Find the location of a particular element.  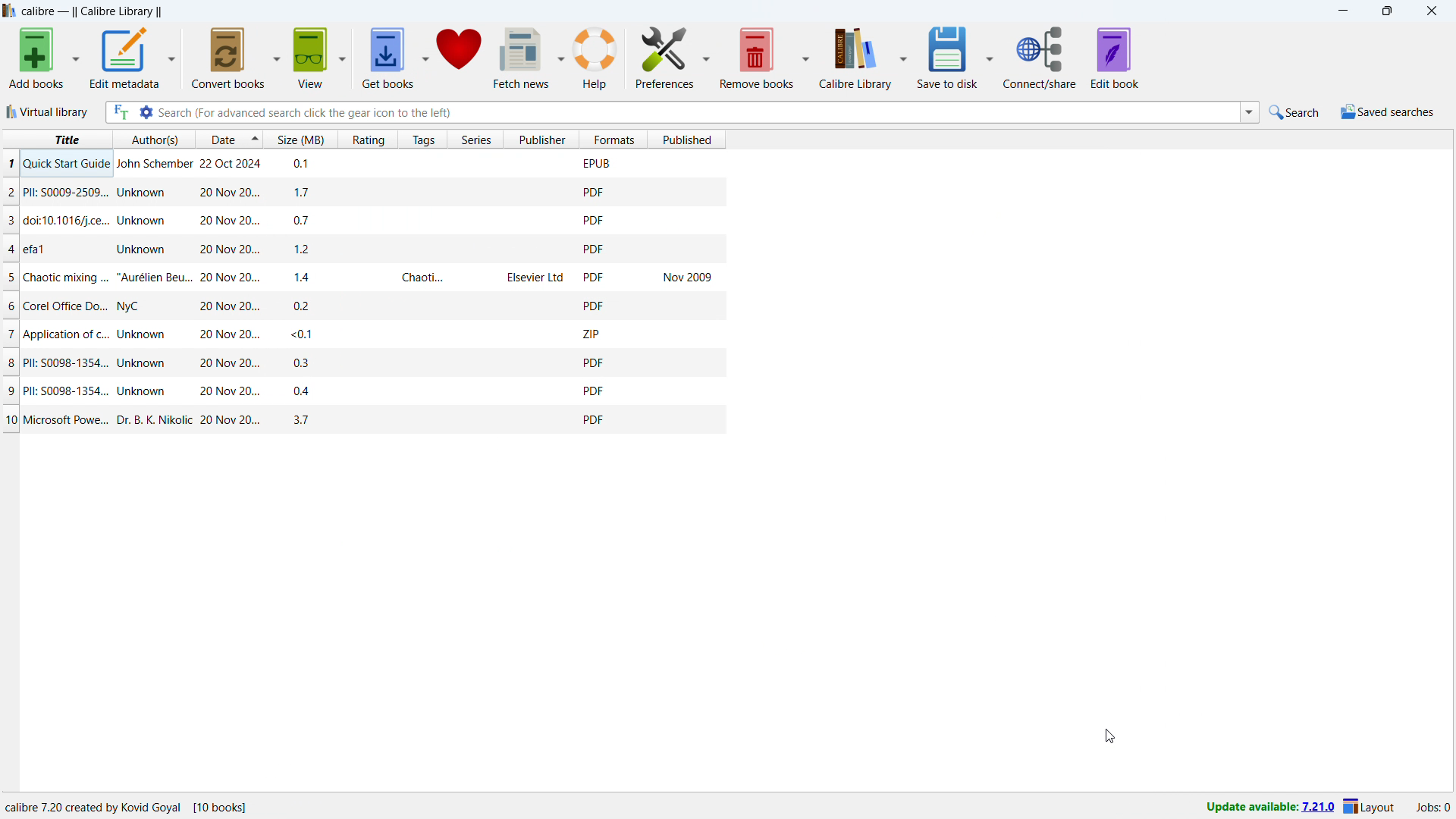

remove books is located at coordinates (757, 56).